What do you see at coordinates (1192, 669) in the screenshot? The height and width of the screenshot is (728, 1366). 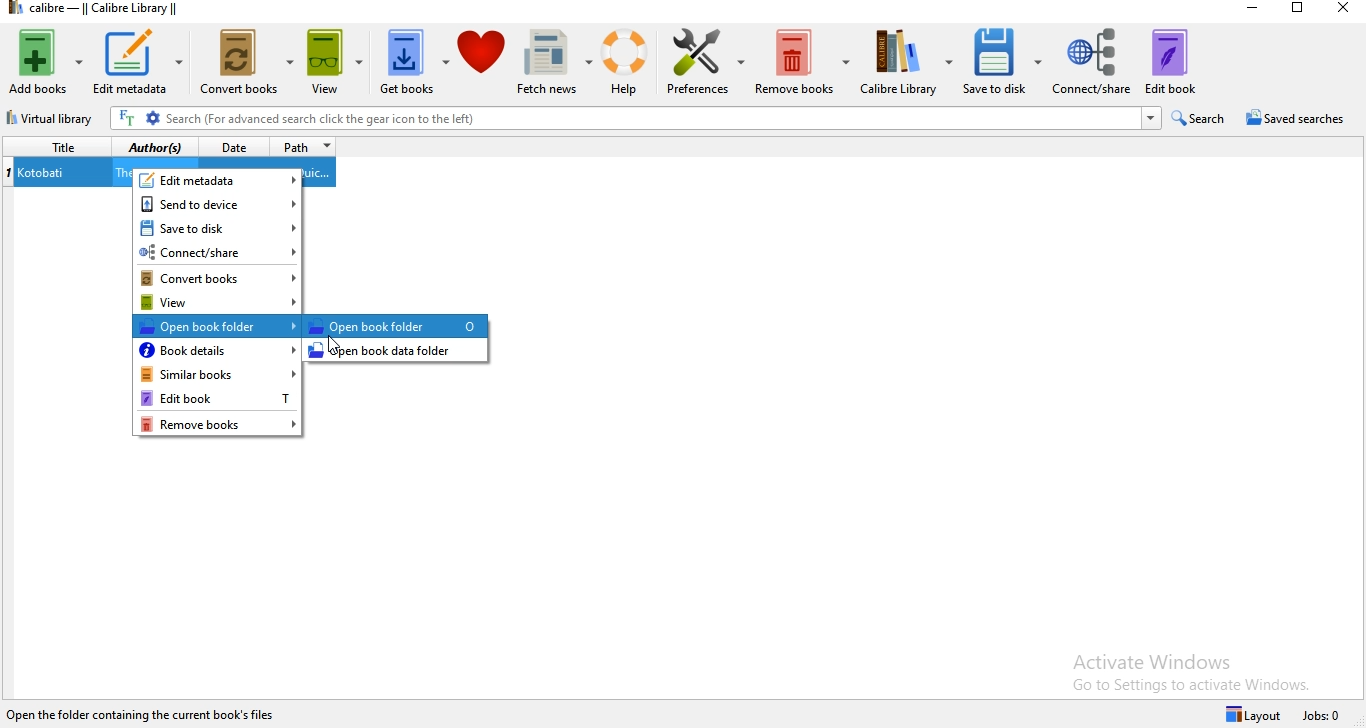 I see `Activate Windows
Go to Settings to activate Windows.` at bounding box center [1192, 669].